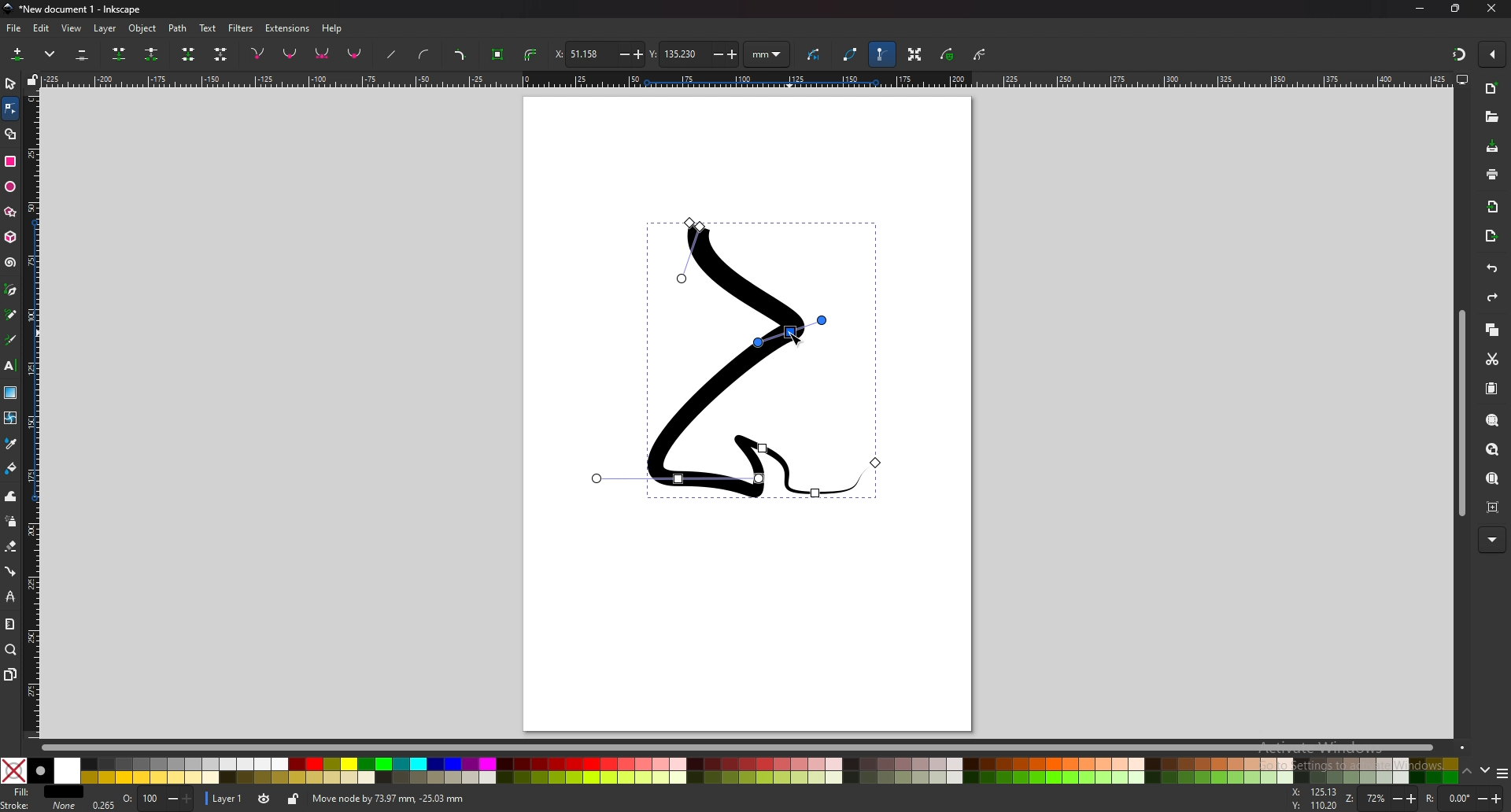 The image size is (1511, 812). What do you see at coordinates (145, 28) in the screenshot?
I see `object` at bounding box center [145, 28].